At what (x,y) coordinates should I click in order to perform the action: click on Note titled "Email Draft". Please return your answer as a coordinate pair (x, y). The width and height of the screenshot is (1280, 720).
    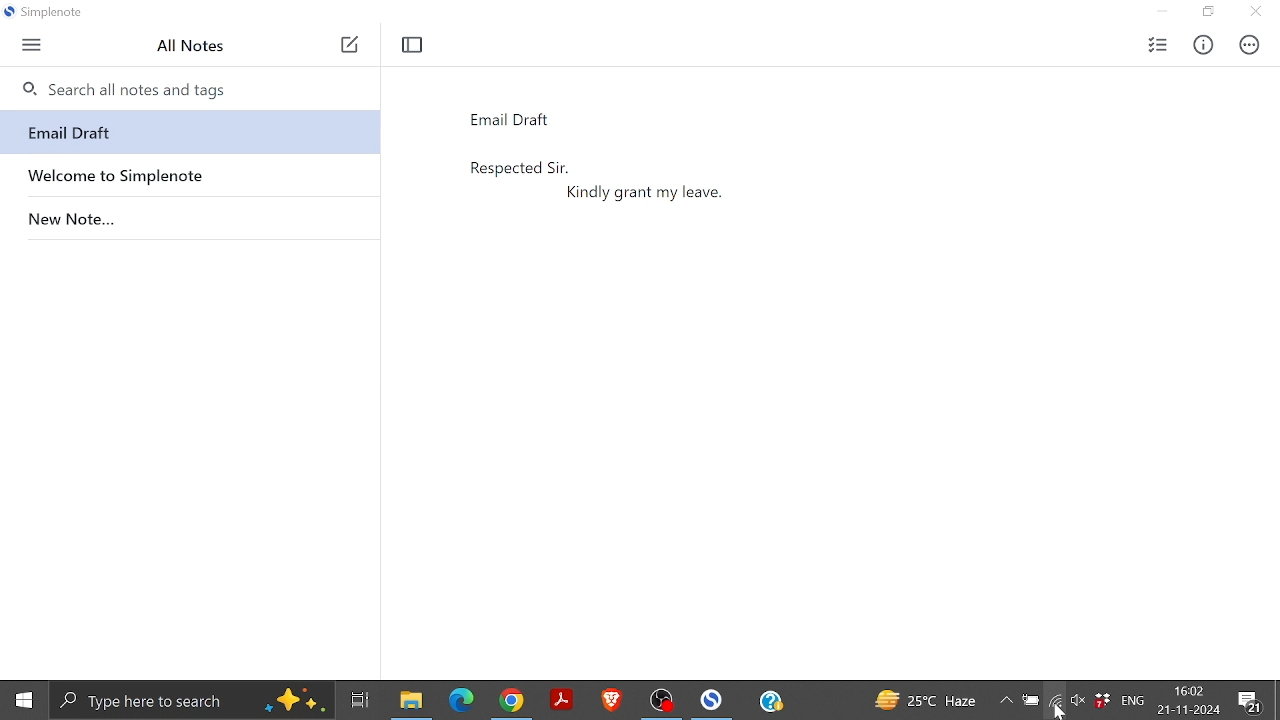
    Looking at the image, I should click on (185, 133).